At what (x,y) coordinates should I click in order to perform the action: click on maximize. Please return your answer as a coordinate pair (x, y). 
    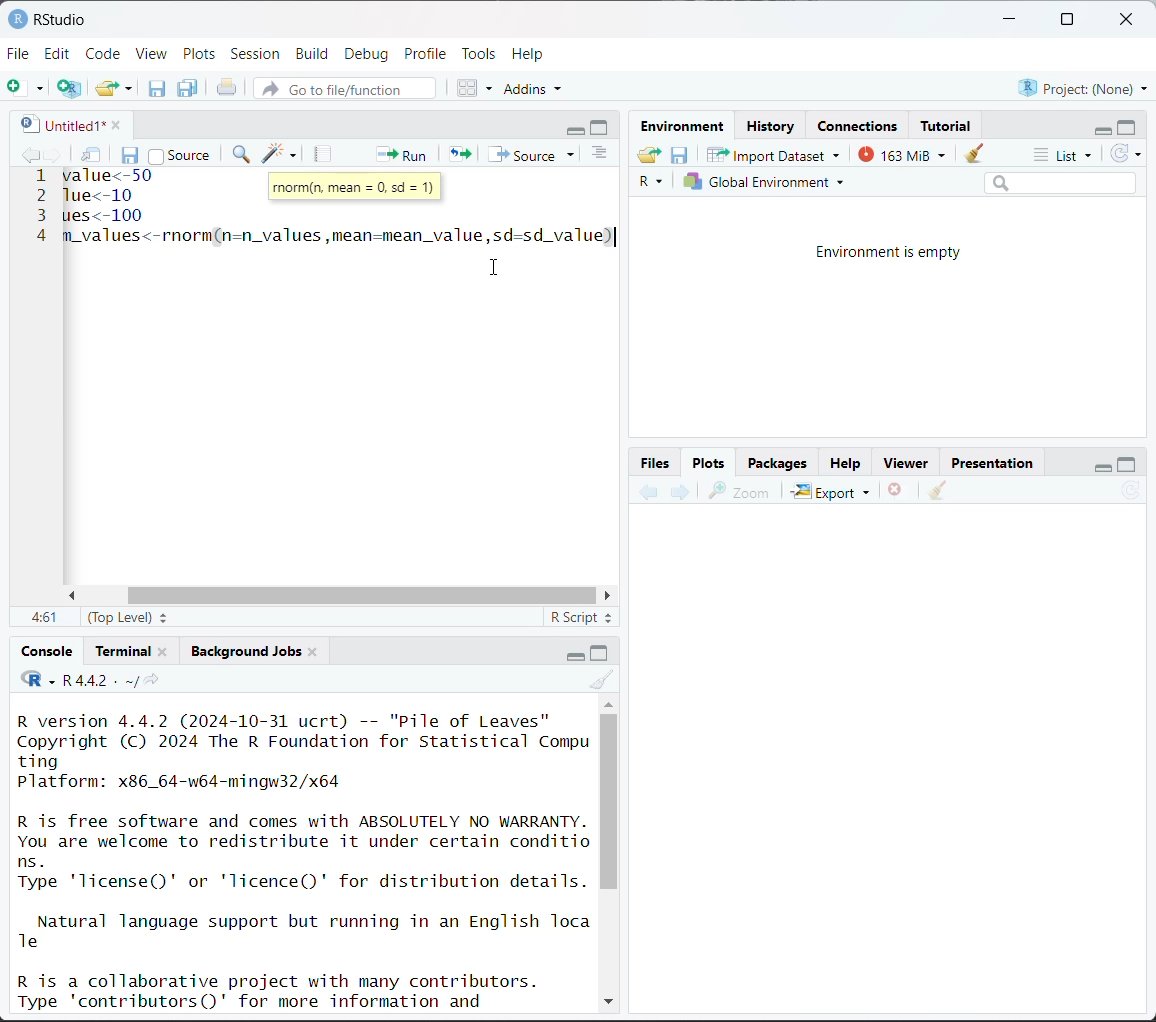
    Looking at the image, I should click on (1128, 126).